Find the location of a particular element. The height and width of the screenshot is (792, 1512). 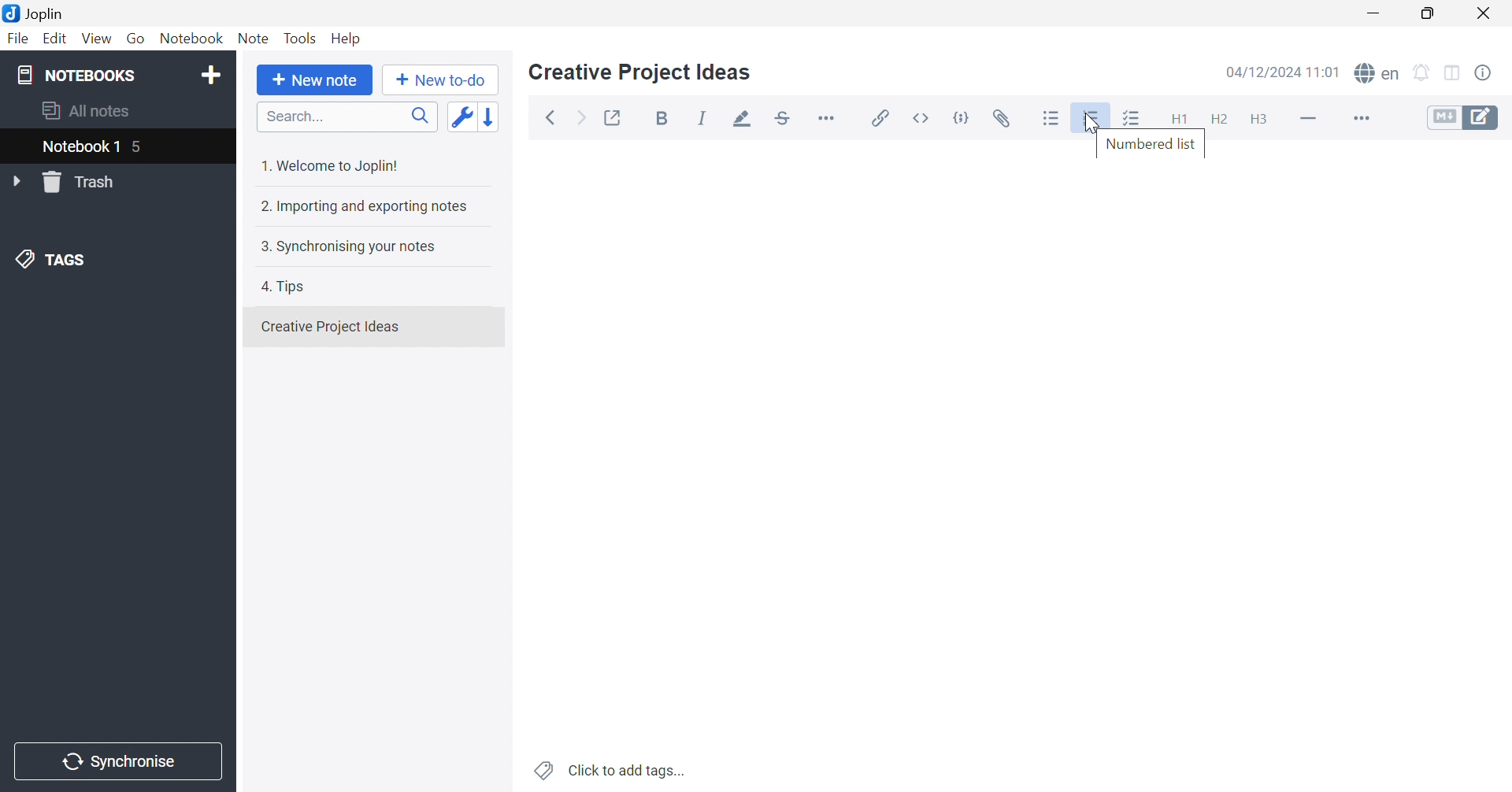

Minimize is located at coordinates (1379, 13).